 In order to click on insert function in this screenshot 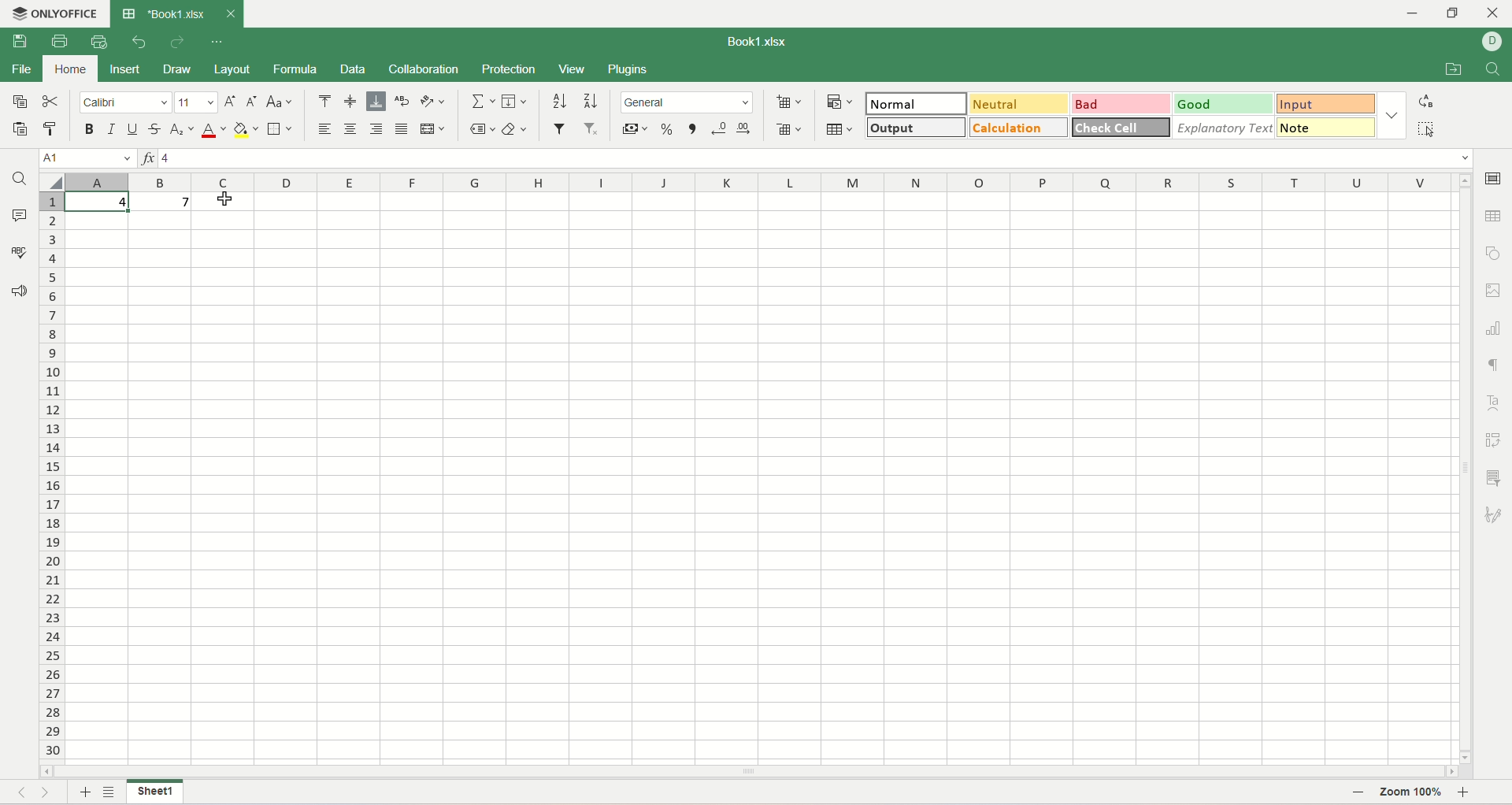, I will do `click(146, 158)`.